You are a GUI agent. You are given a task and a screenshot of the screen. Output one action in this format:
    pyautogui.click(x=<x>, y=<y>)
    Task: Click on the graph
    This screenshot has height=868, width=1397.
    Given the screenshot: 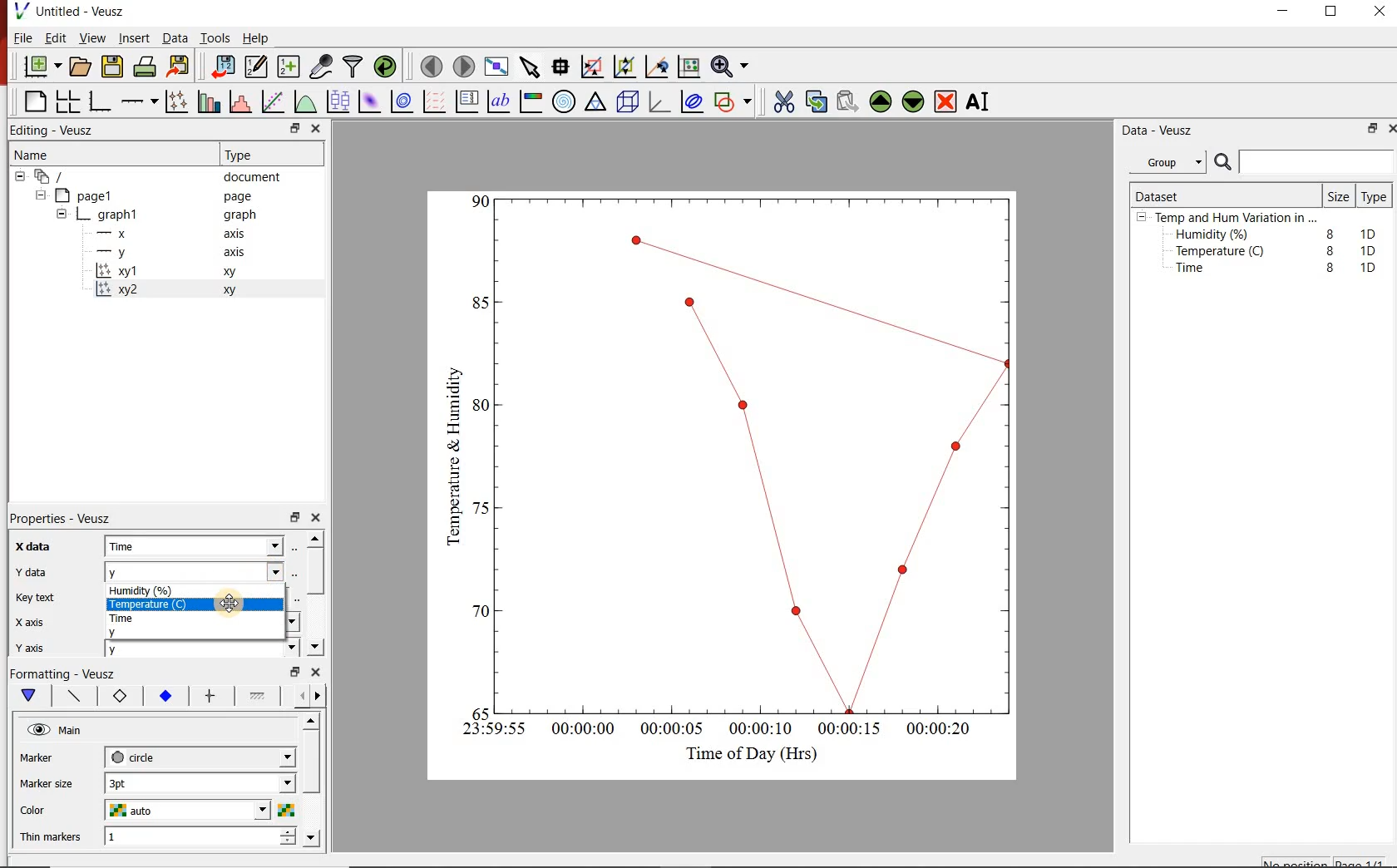 What is the action you would take?
    pyautogui.click(x=119, y=214)
    